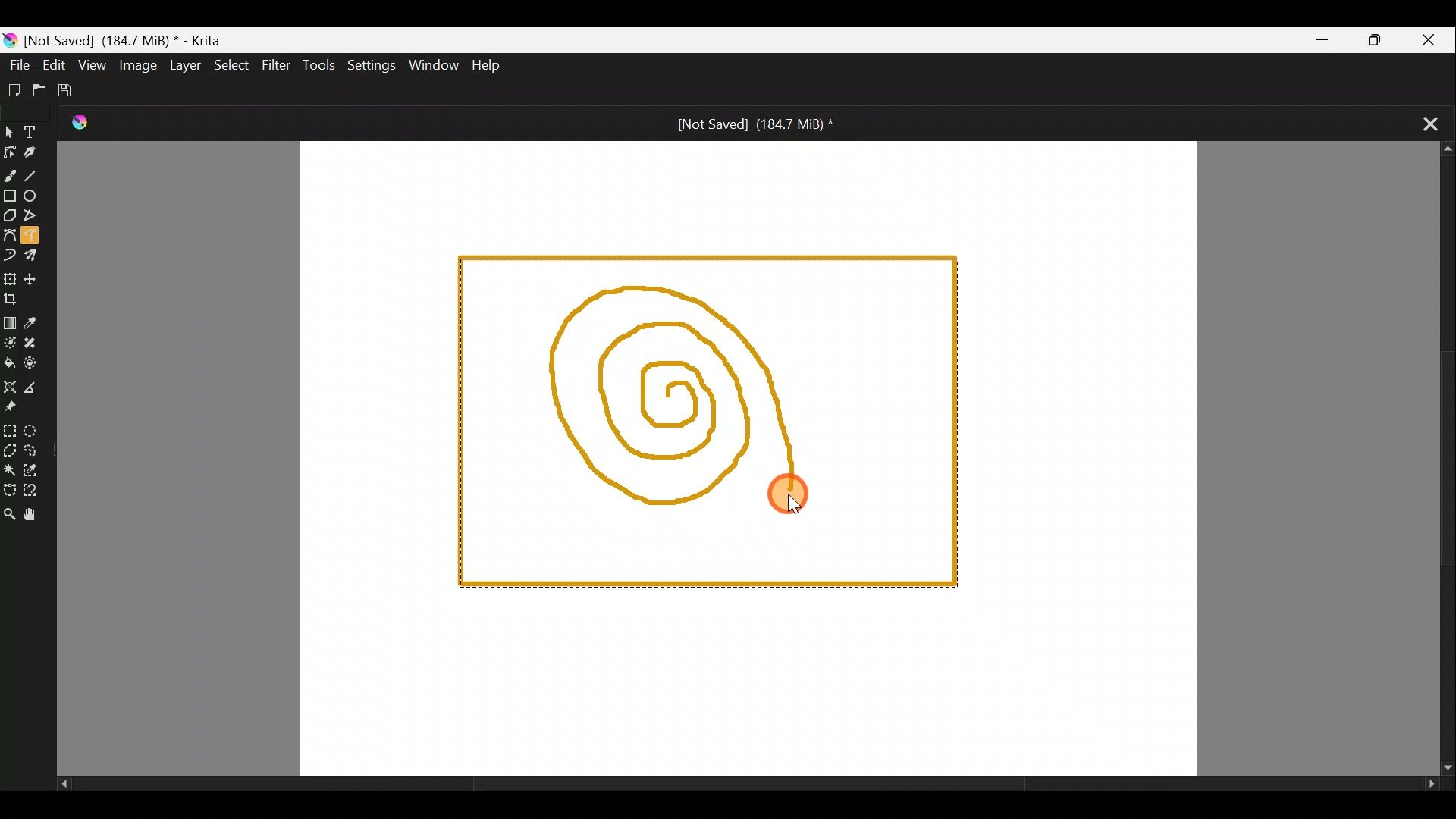 The width and height of the screenshot is (1456, 819). I want to click on File, so click(15, 64).